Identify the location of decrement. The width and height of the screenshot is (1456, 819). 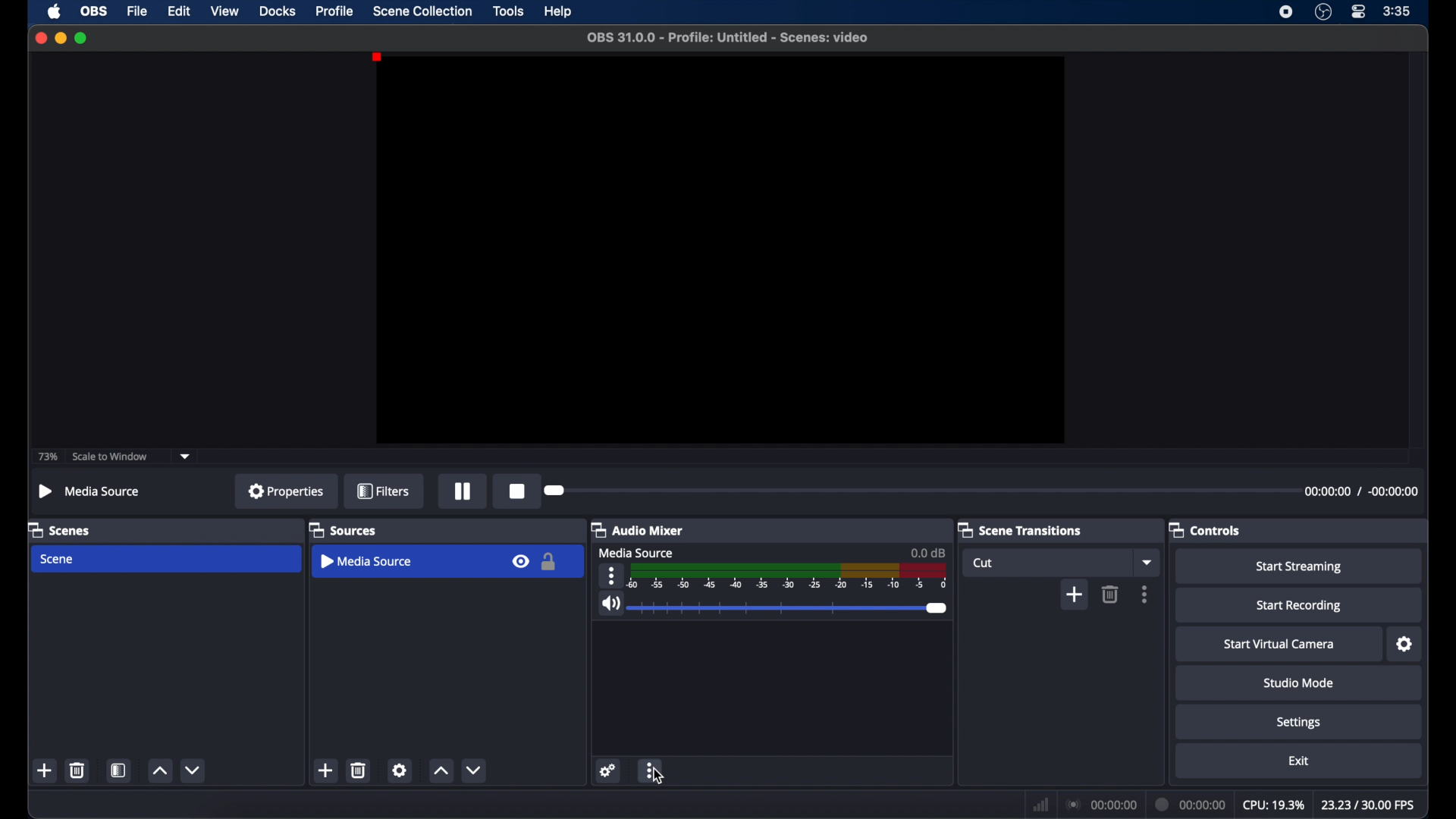
(193, 770).